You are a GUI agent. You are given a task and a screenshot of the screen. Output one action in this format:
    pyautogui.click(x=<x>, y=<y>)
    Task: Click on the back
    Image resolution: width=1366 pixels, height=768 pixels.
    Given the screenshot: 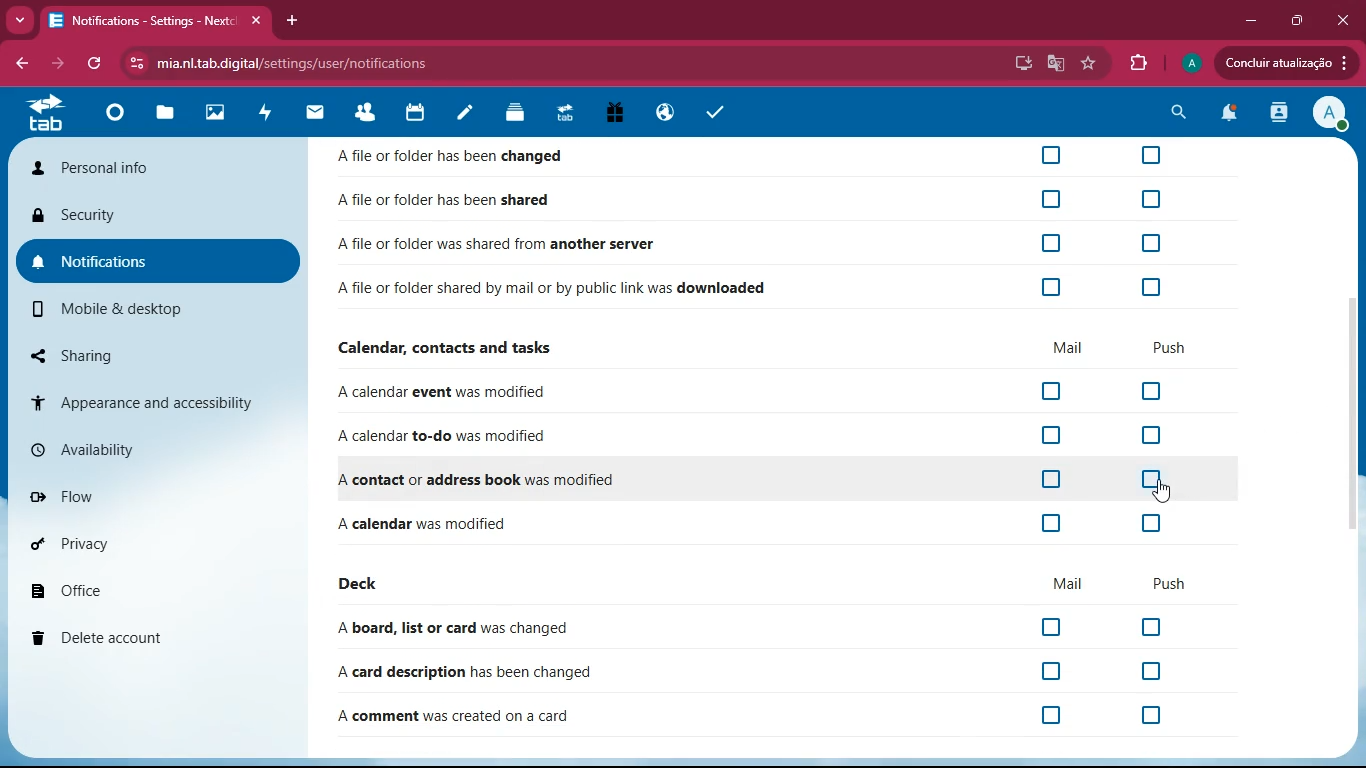 What is the action you would take?
    pyautogui.click(x=18, y=61)
    